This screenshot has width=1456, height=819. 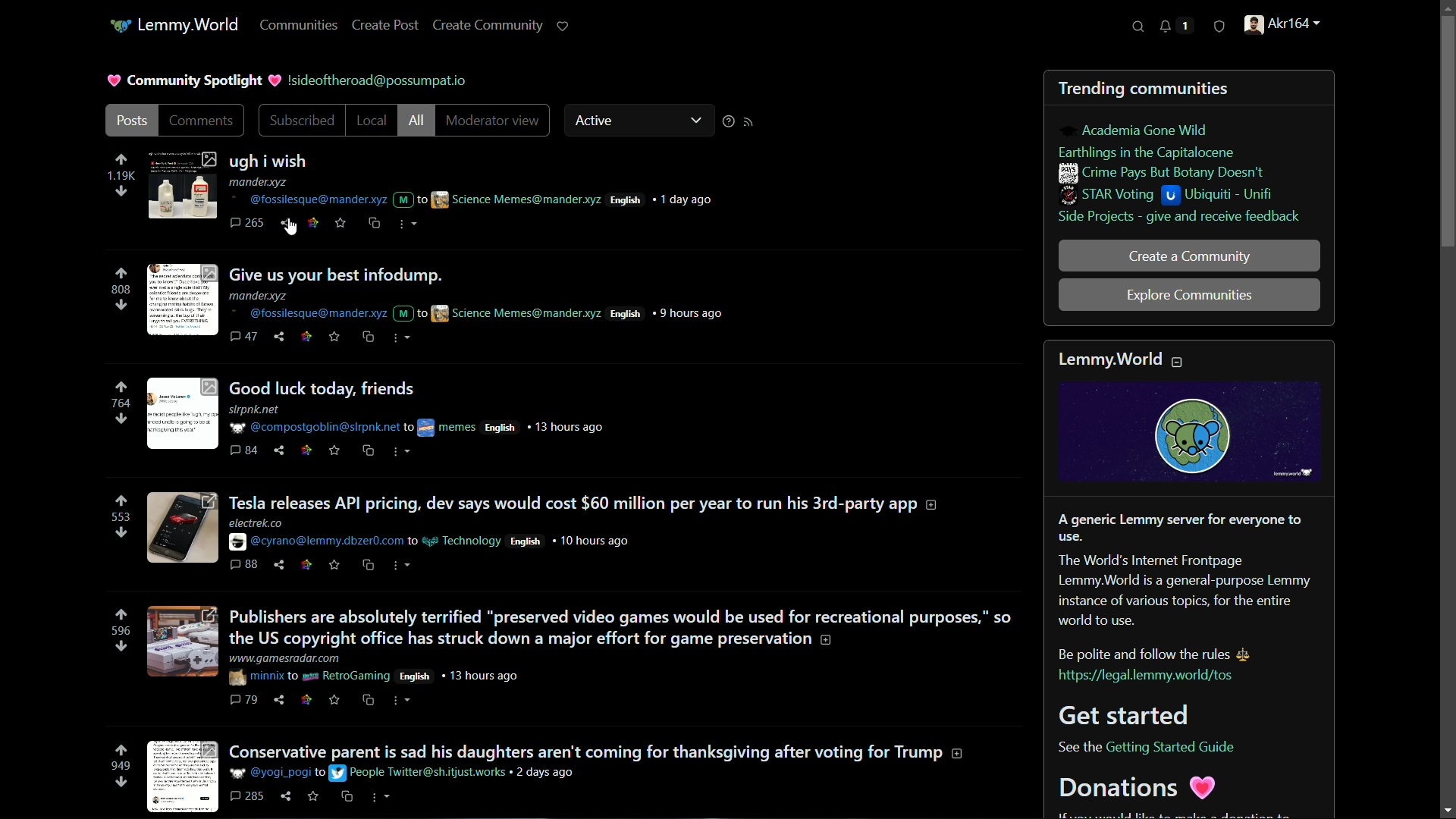 What do you see at coordinates (369, 566) in the screenshot?
I see `cross psot` at bounding box center [369, 566].